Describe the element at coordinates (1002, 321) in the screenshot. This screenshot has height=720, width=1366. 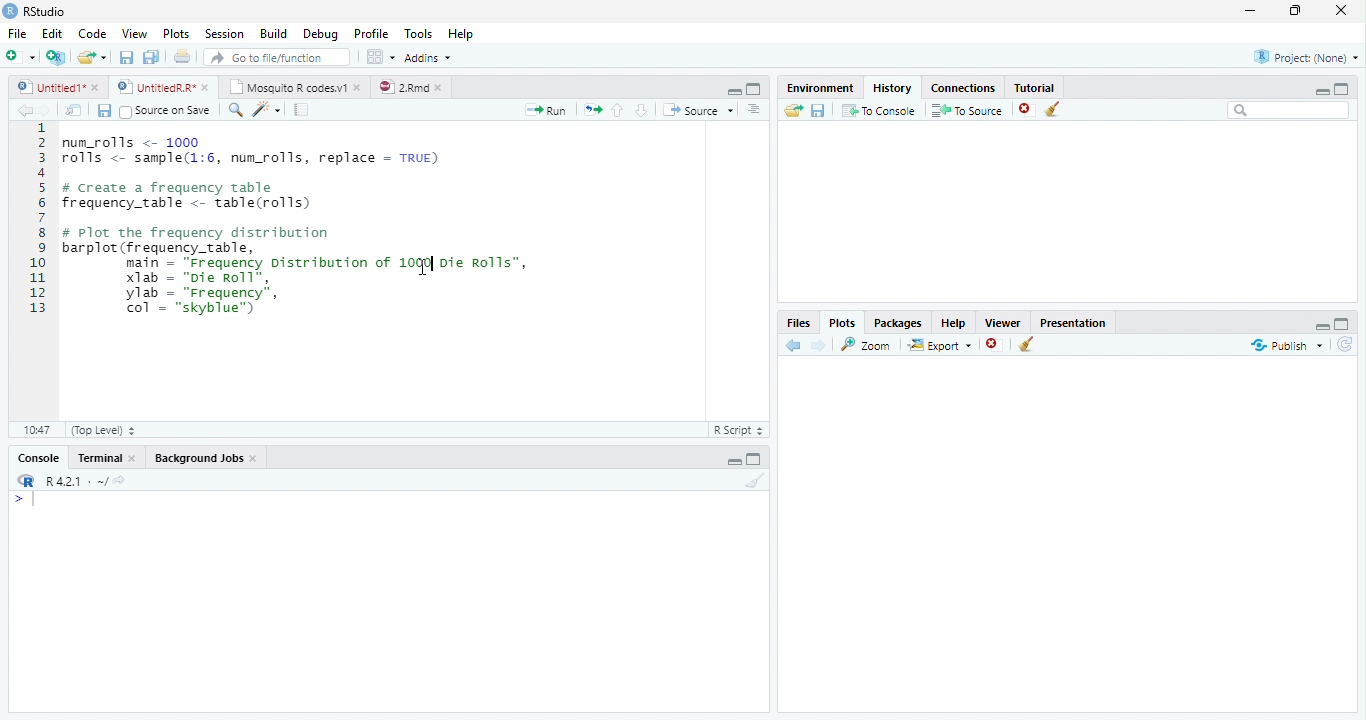
I see `Viewer` at that location.